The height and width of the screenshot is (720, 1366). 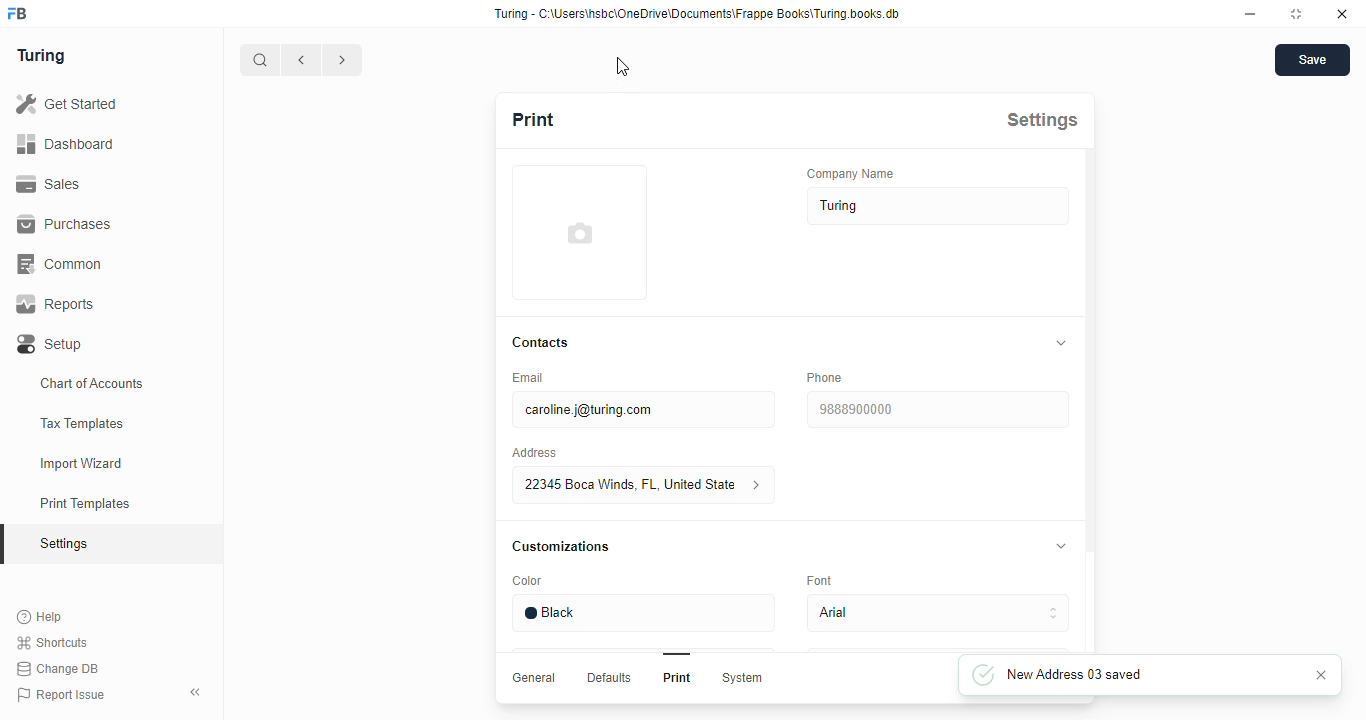 I want to click on image input field, so click(x=580, y=232).